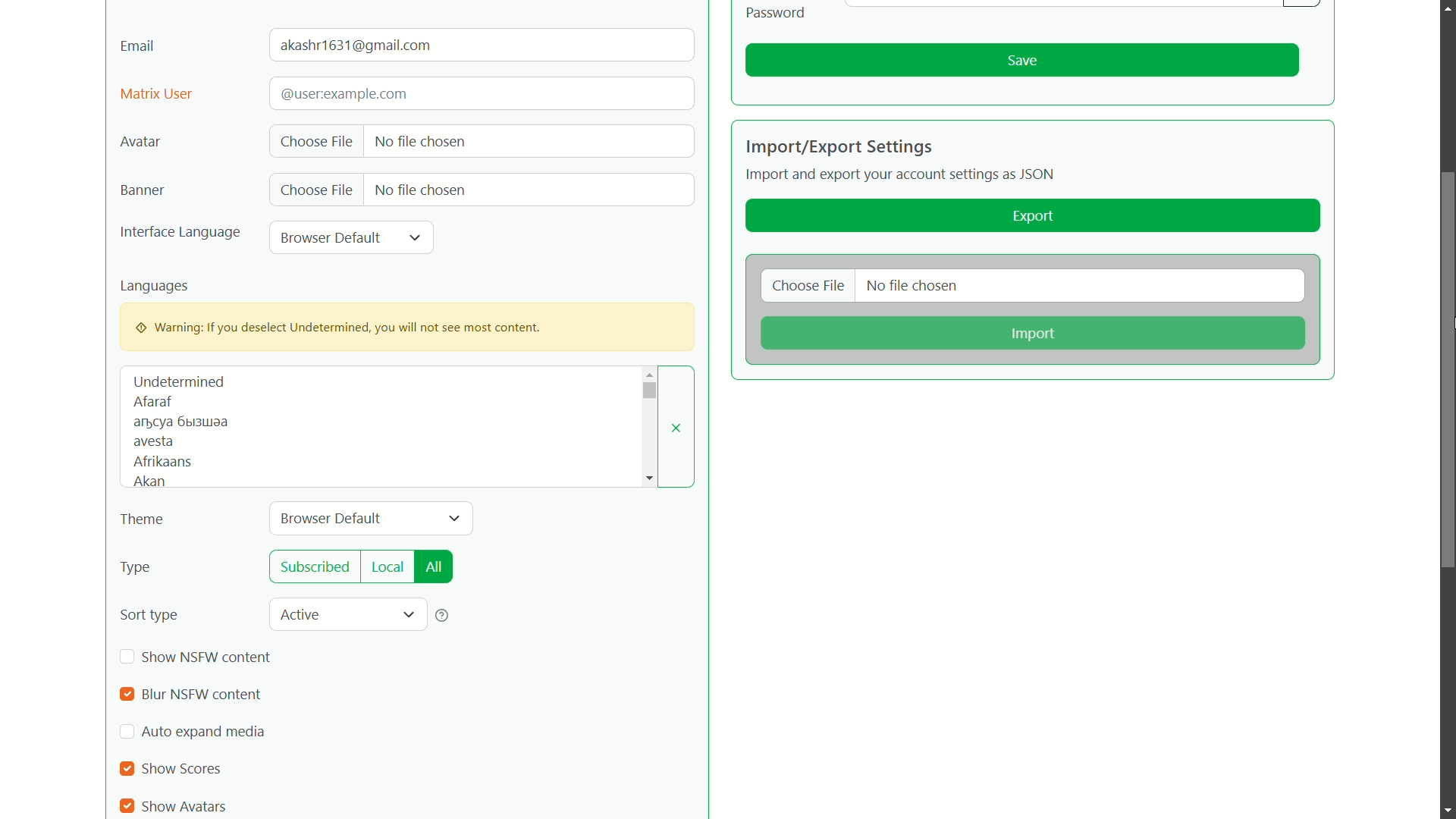  Describe the element at coordinates (434, 567) in the screenshot. I see `all` at that location.